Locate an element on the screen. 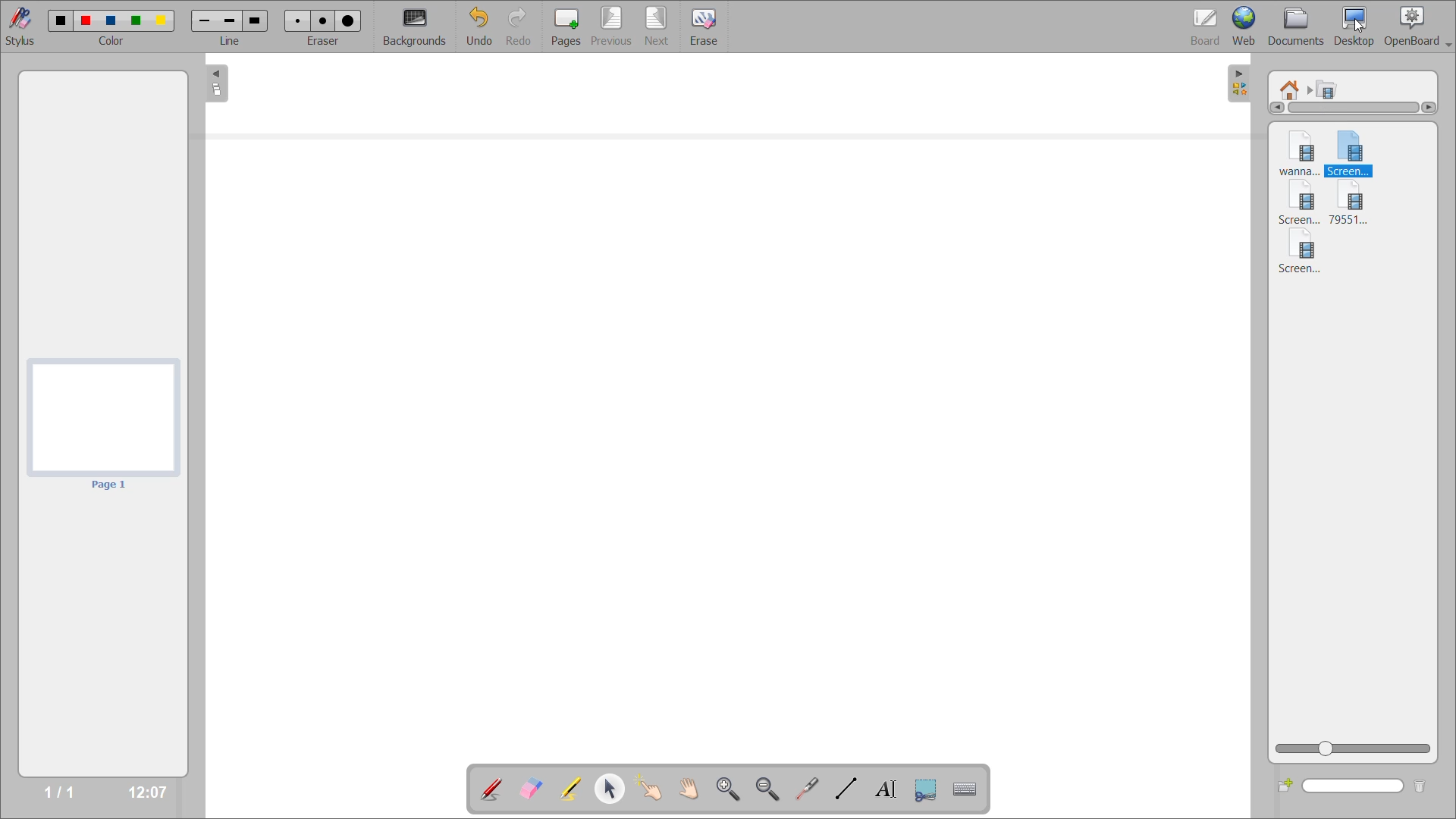 This screenshot has height=819, width=1456. line  is located at coordinates (231, 42).